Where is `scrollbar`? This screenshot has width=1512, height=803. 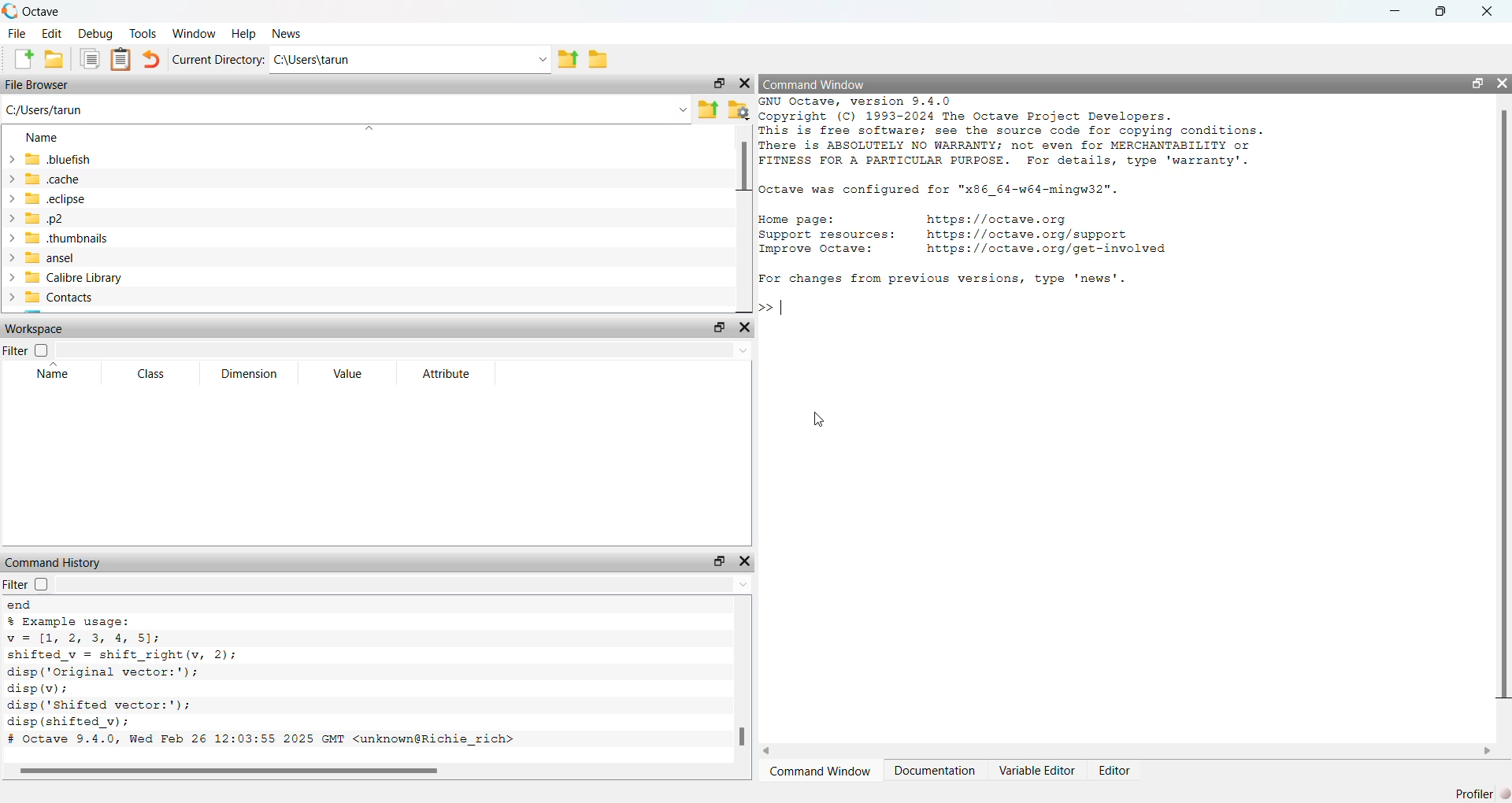
scrollbar is located at coordinates (744, 173).